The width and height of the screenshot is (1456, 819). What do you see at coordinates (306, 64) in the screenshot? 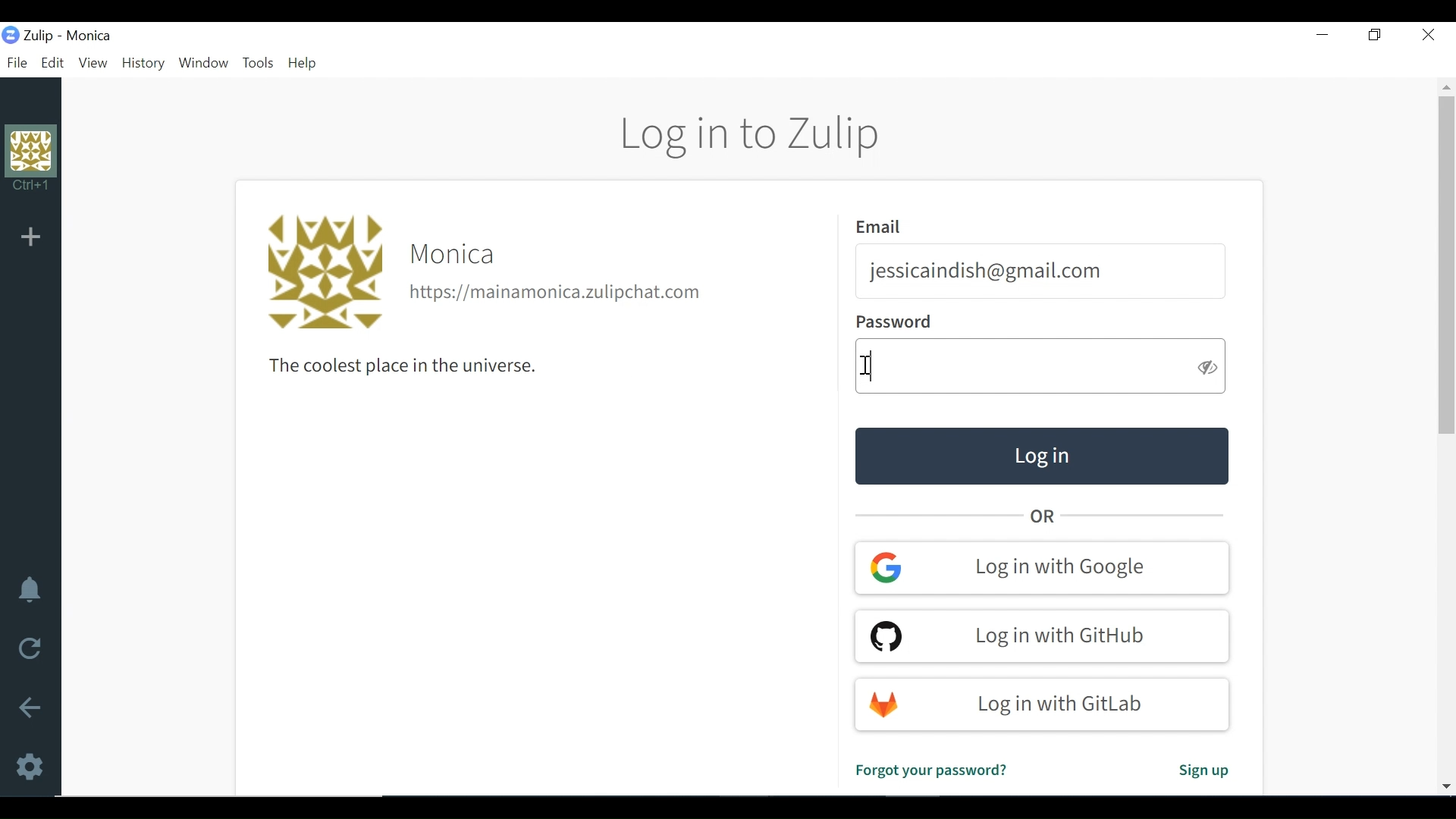
I see `Help` at bounding box center [306, 64].